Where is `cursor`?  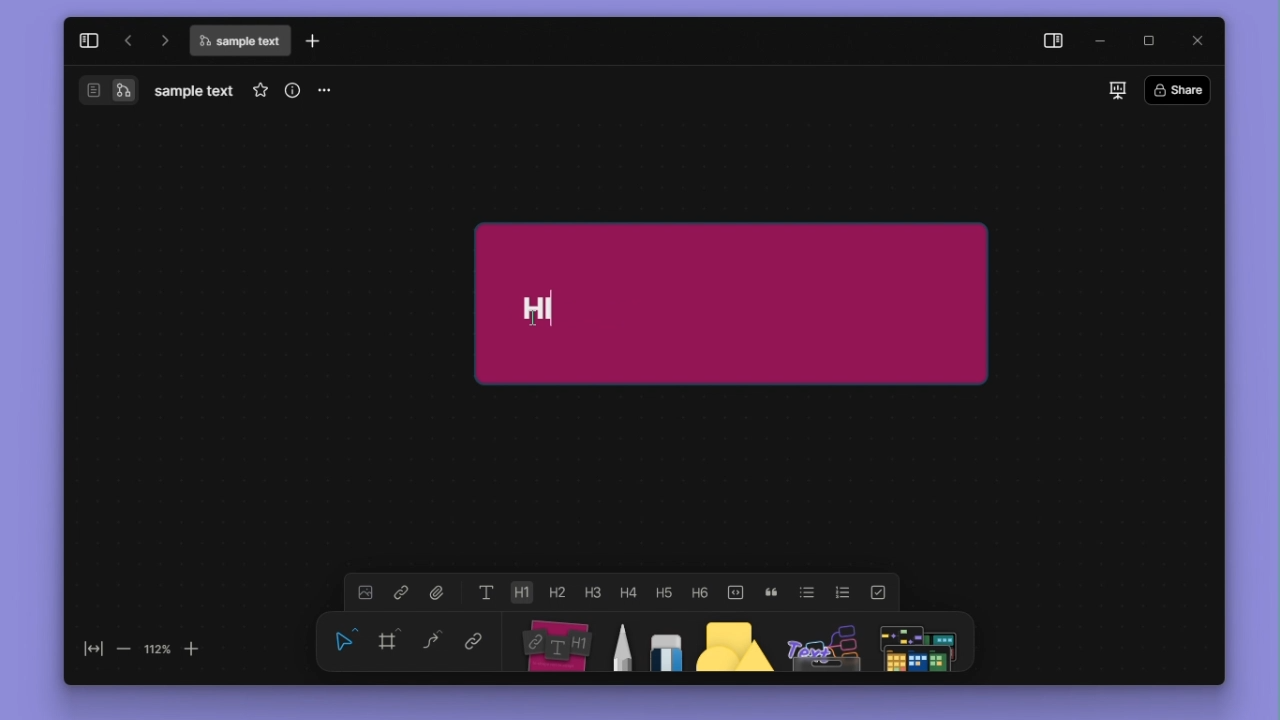 cursor is located at coordinates (533, 318).